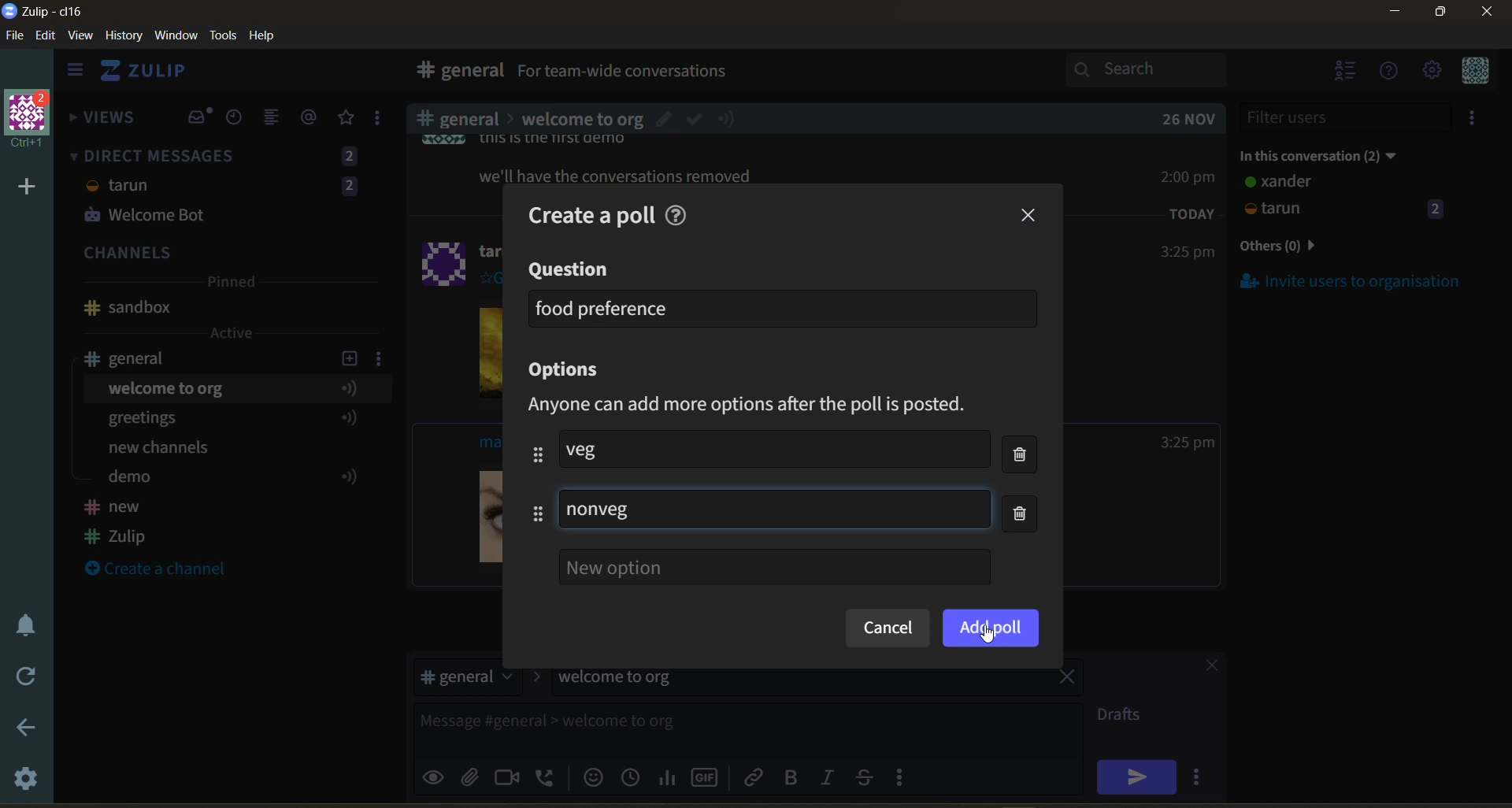 This screenshot has width=1512, height=808. I want to click on organisation, so click(31, 120).